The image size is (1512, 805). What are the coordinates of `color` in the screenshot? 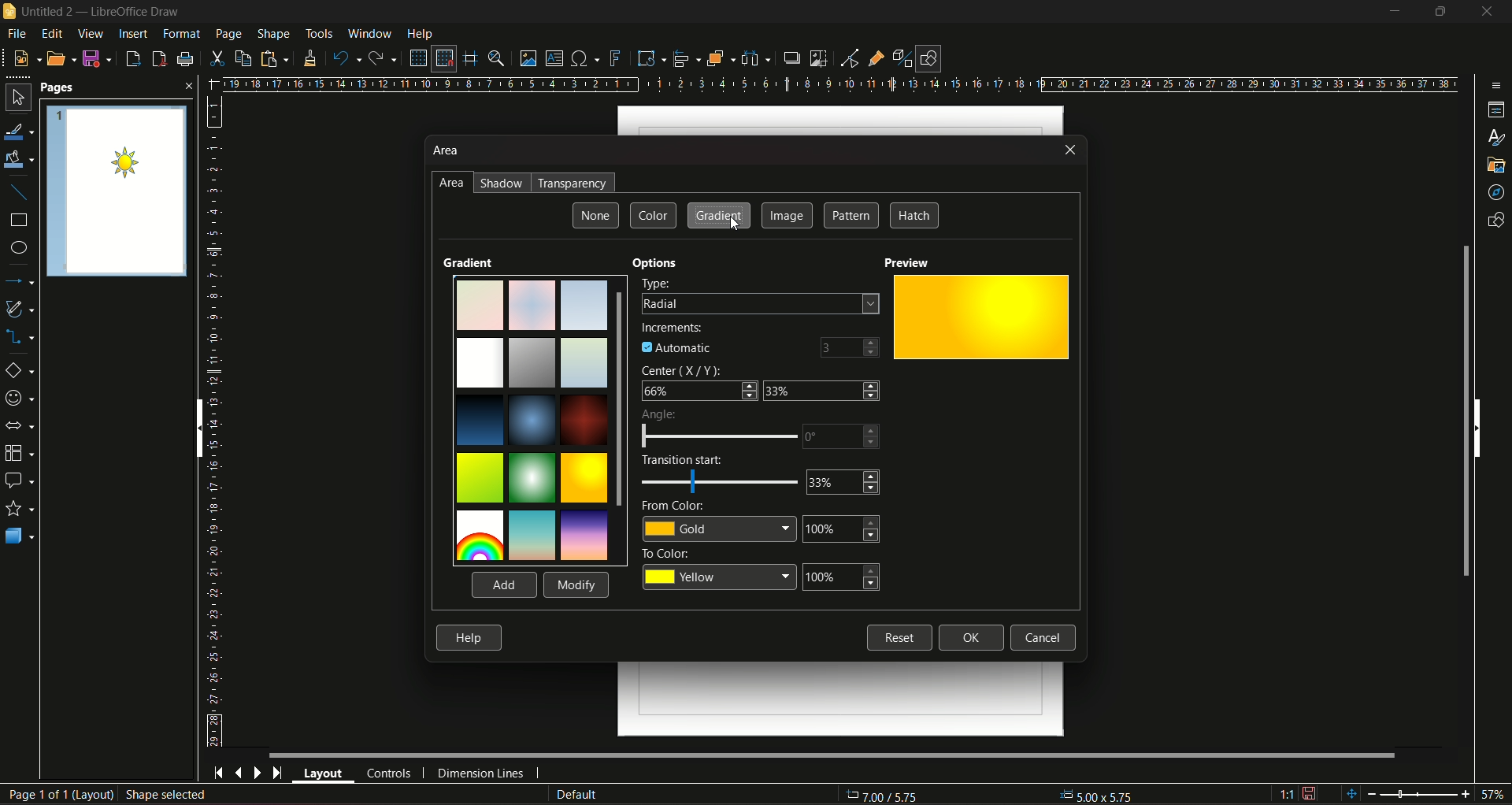 It's located at (655, 216).